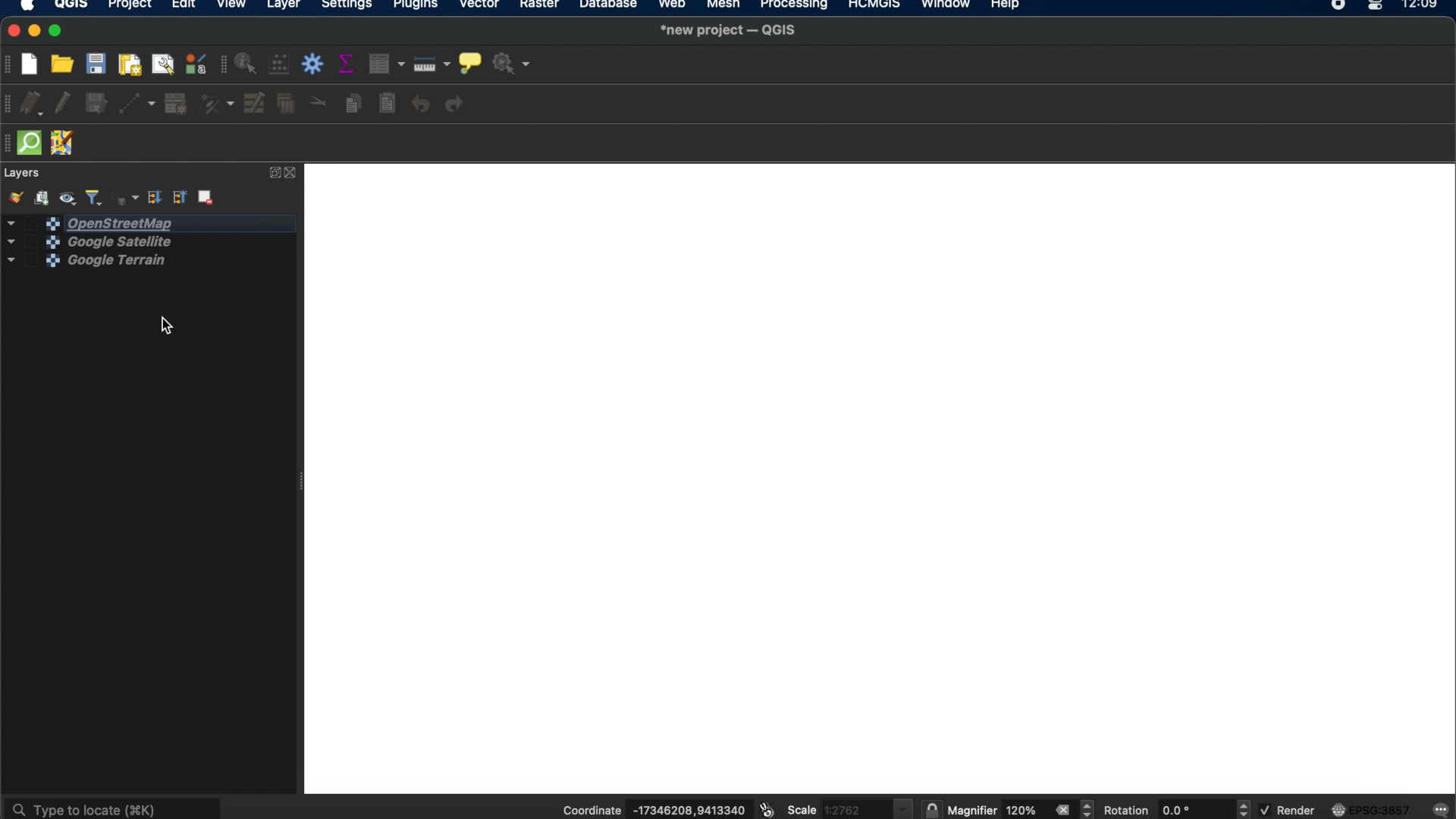 The width and height of the screenshot is (1456, 819). Describe the element at coordinates (315, 64) in the screenshot. I see `toolbox` at that location.